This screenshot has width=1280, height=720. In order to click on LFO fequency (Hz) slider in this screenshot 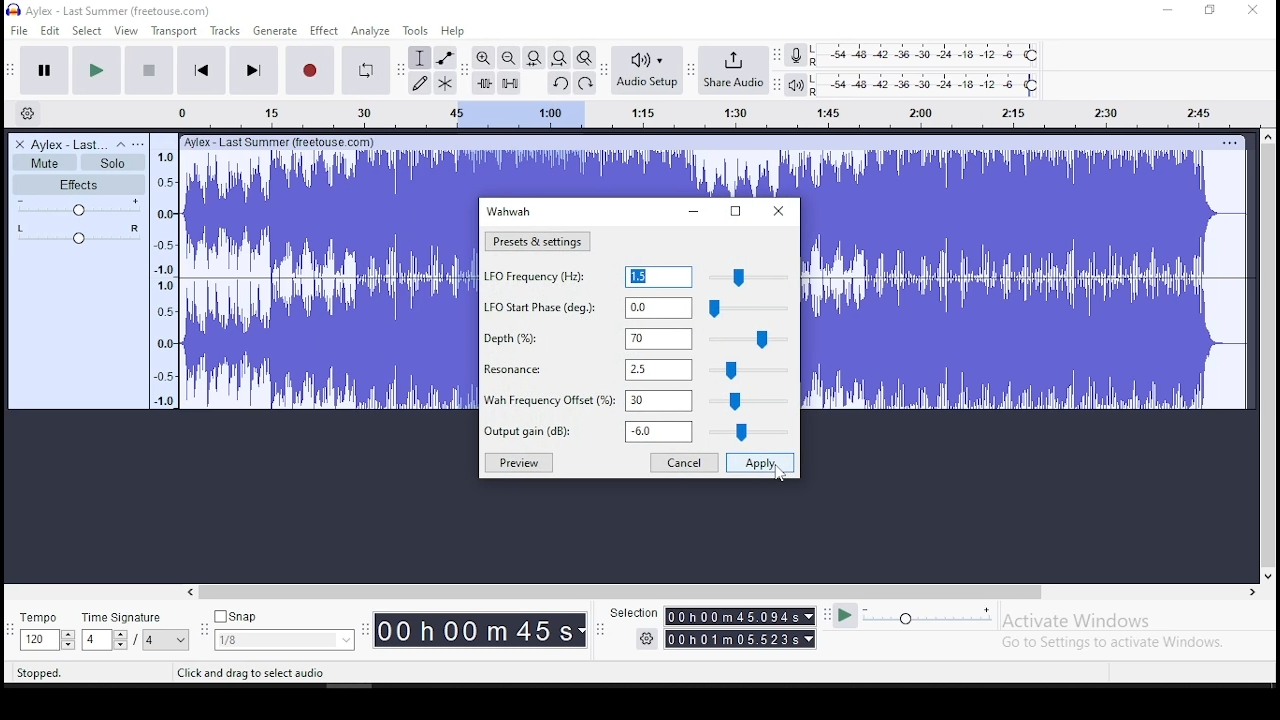, I will do `click(746, 276)`.